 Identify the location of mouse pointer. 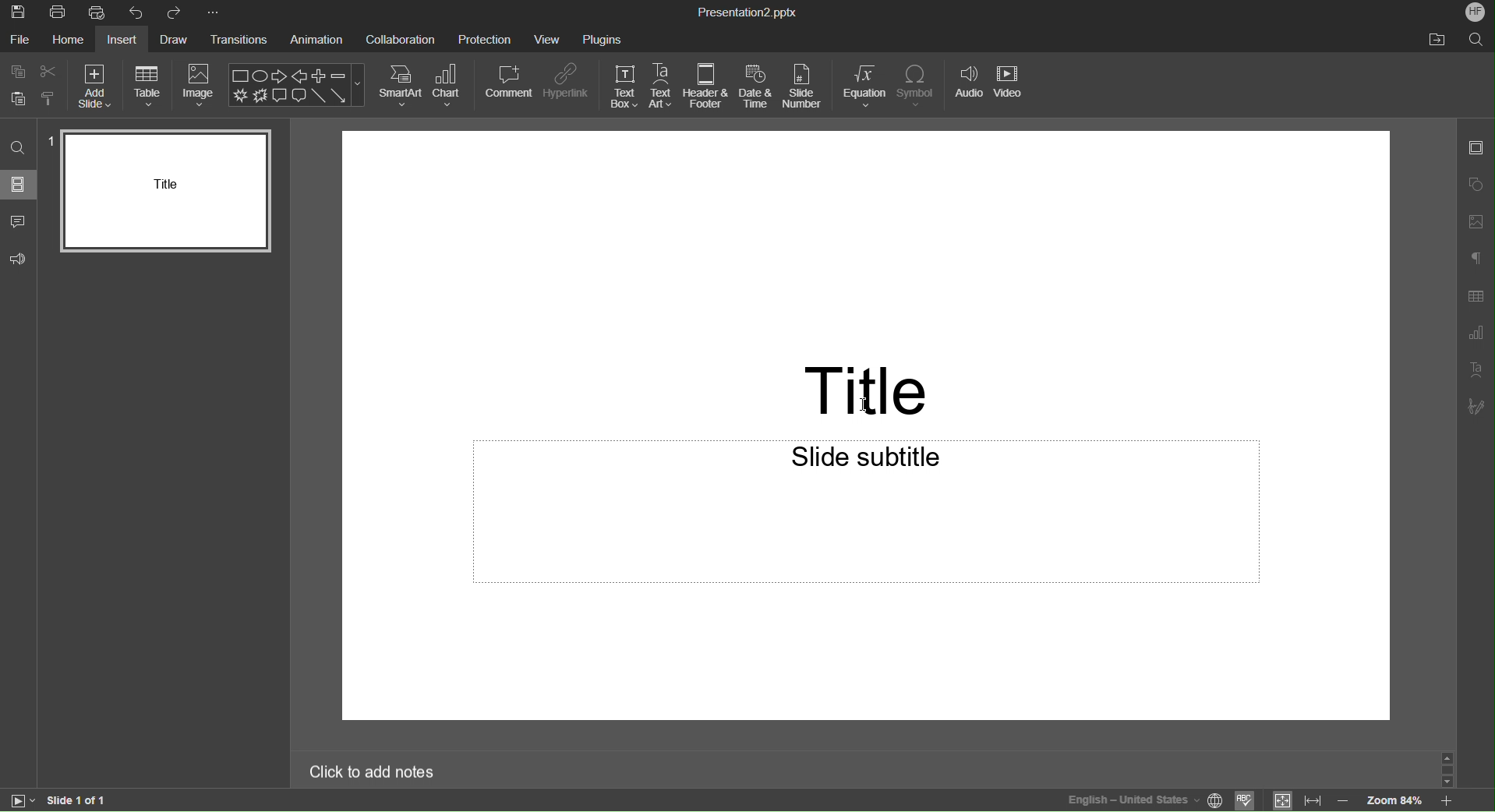
(864, 404).